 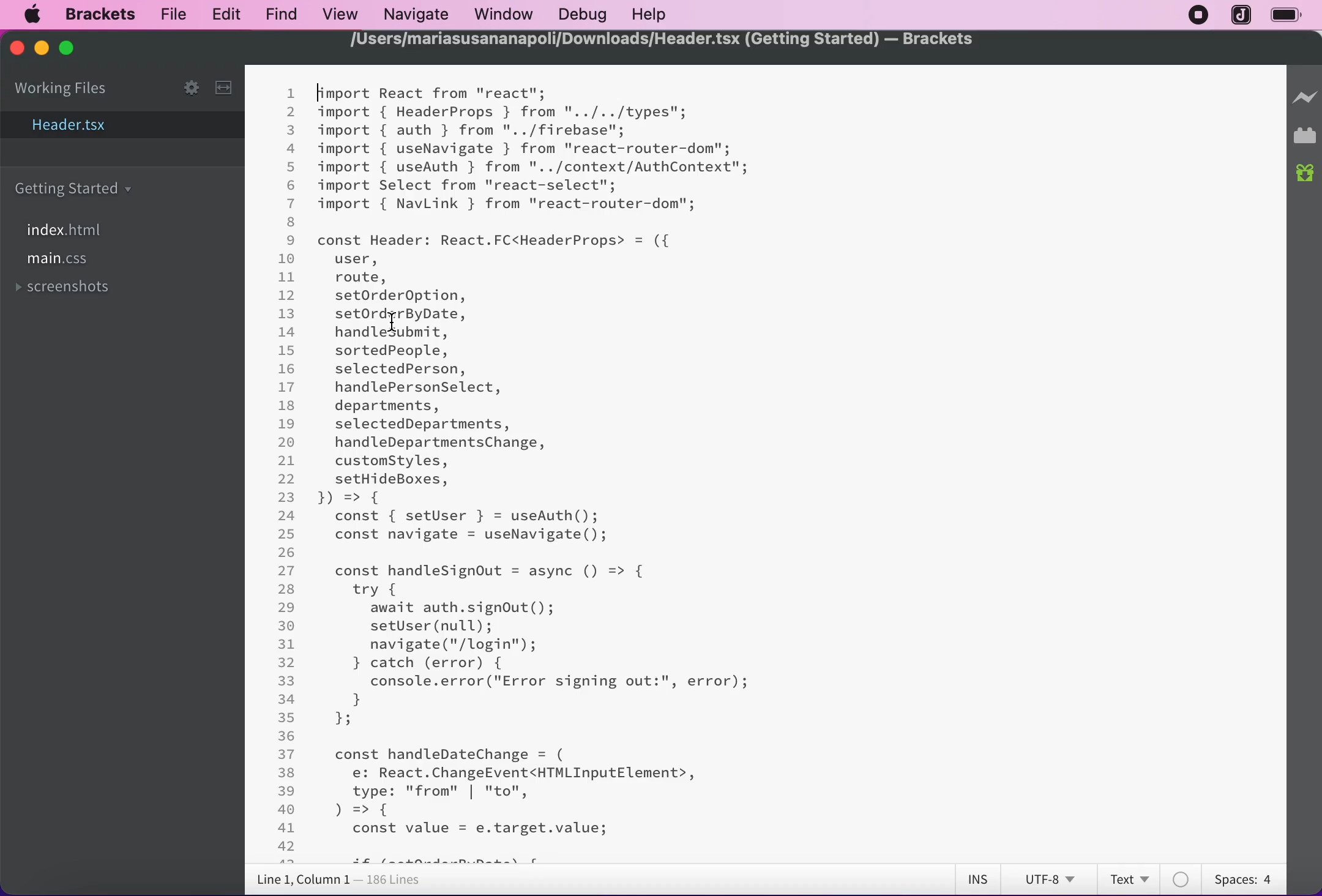 I want to click on header.tsx, so click(x=125, y=122).